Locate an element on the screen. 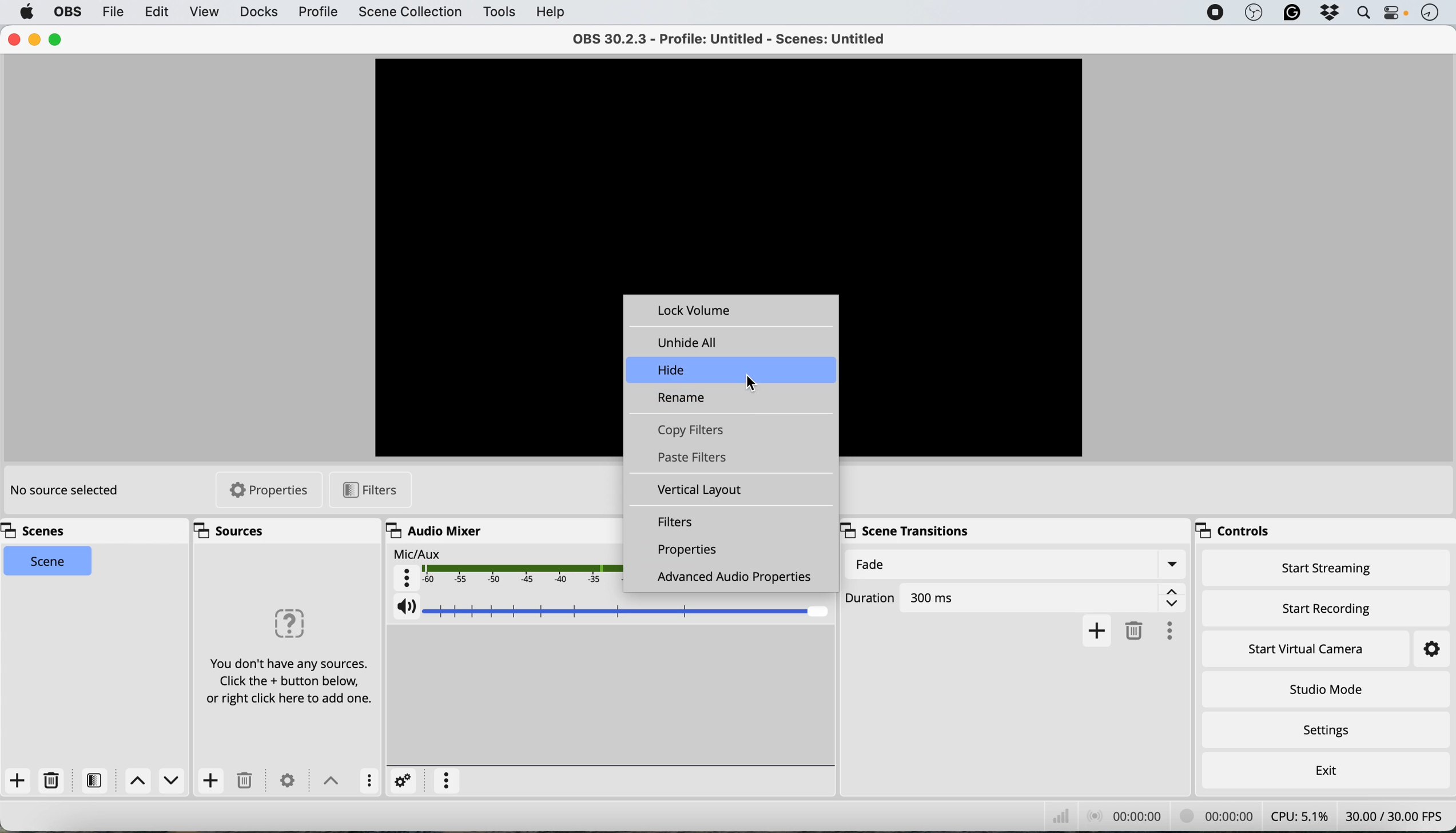 This screenshot has width=1456, height=833. rename is located at coordinates (682, 400).